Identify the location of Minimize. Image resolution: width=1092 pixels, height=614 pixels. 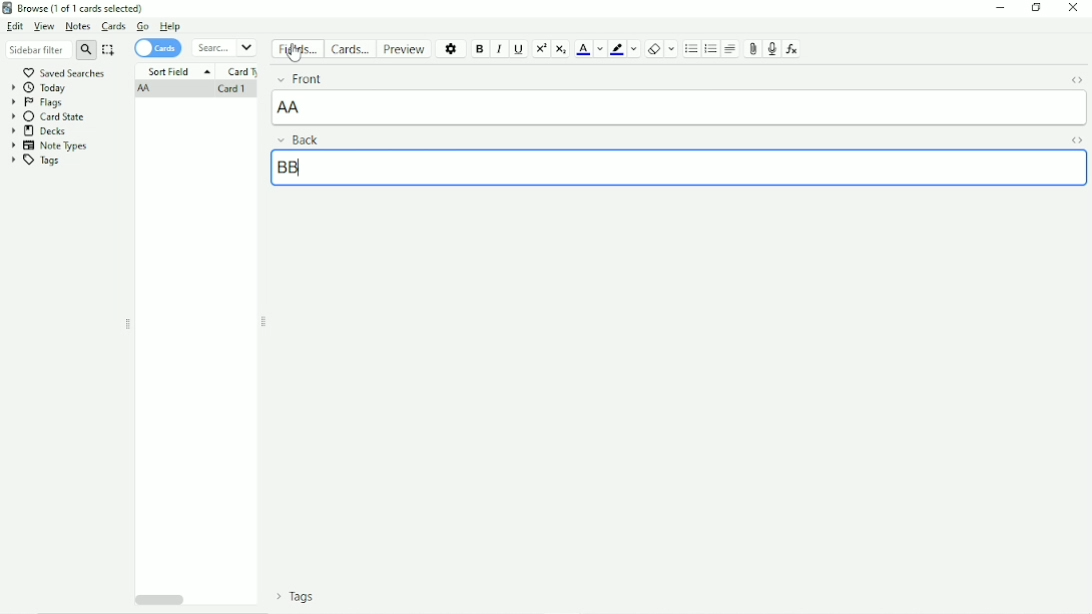
(1000, 8).